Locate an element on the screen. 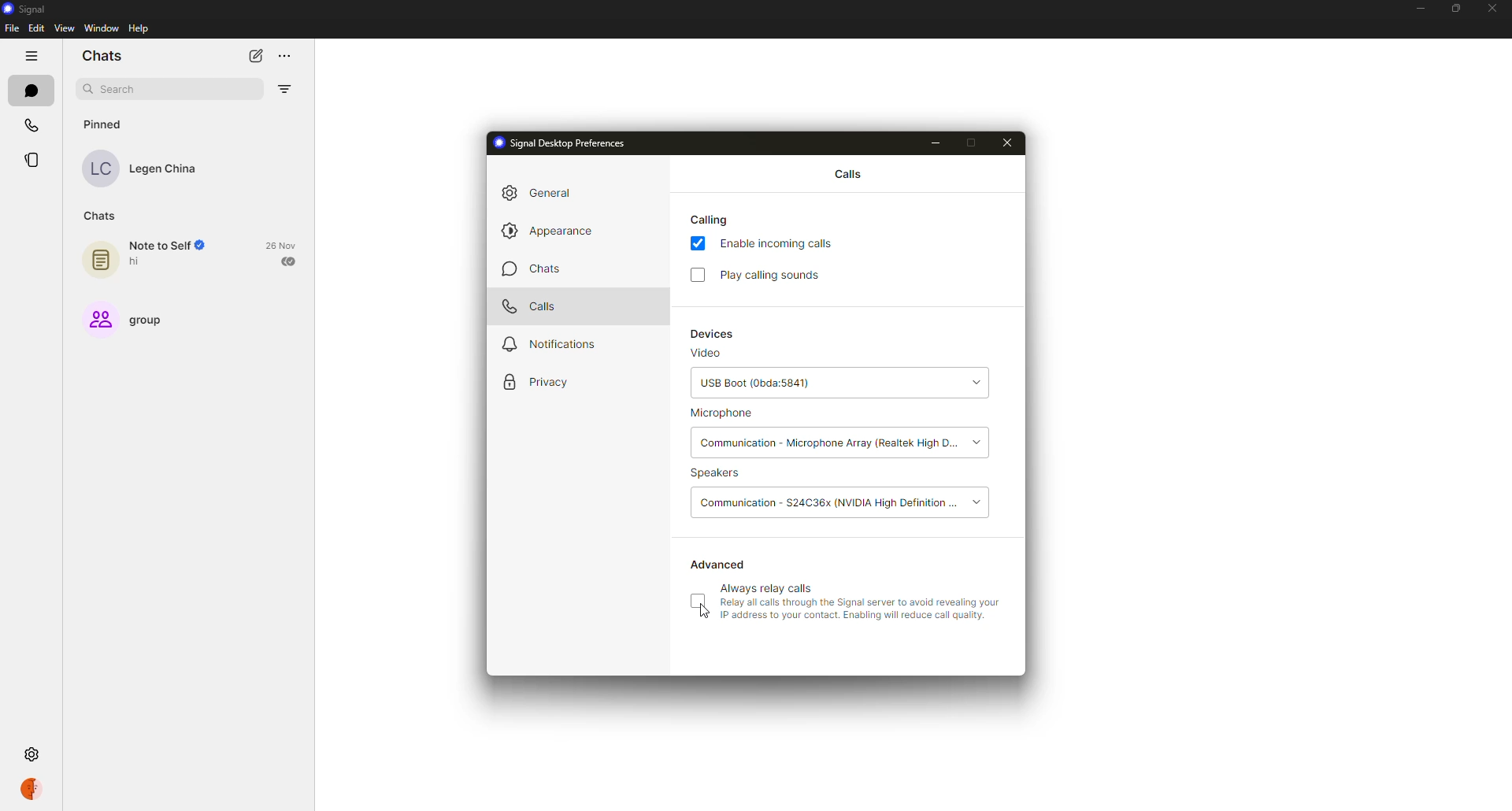 Image resolution: width=1512 pixels, height=811 pixels. appearance is located at coordinates (550, 229).